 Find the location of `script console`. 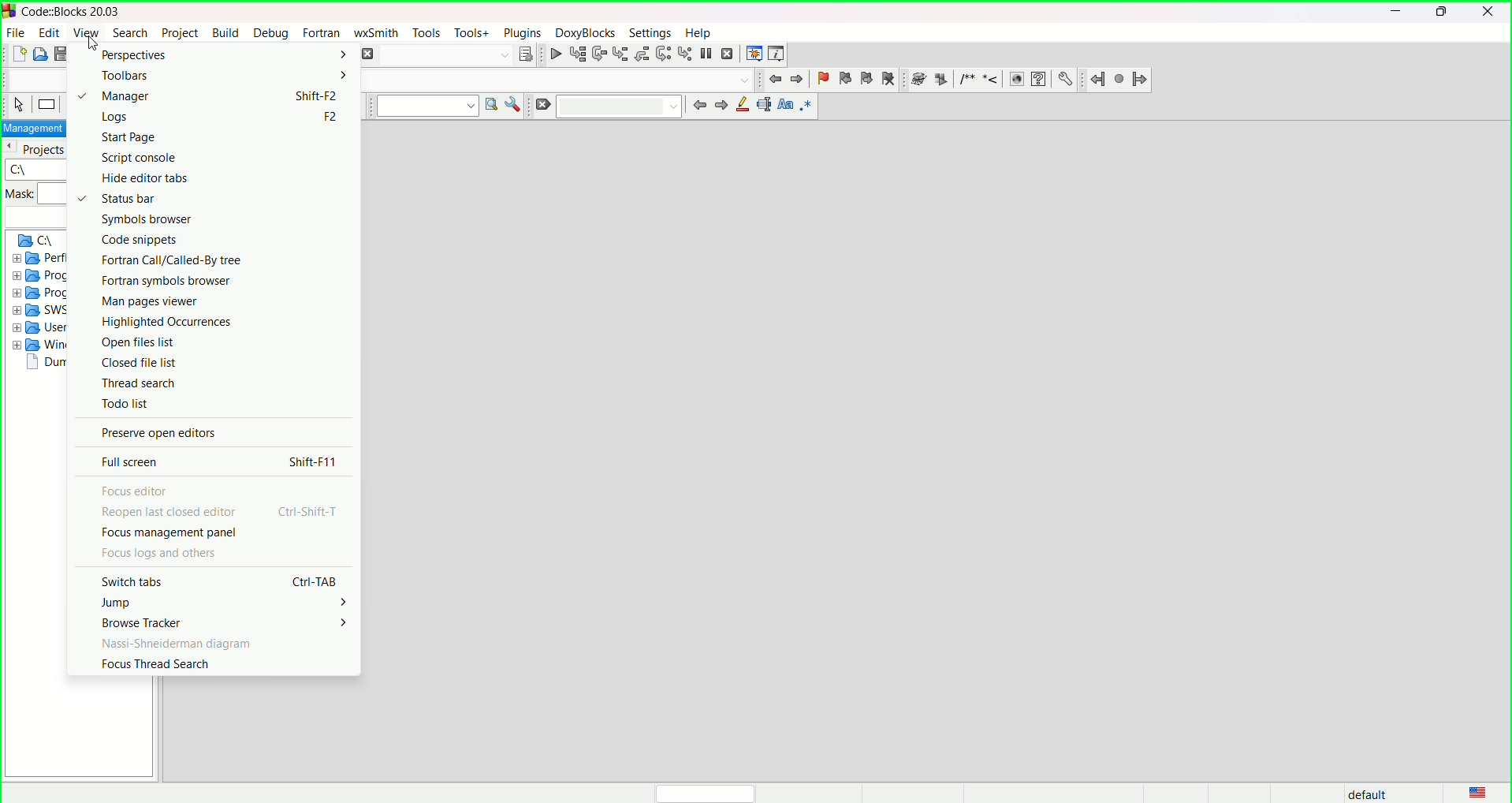

script console is located at coordinates (140, 157).